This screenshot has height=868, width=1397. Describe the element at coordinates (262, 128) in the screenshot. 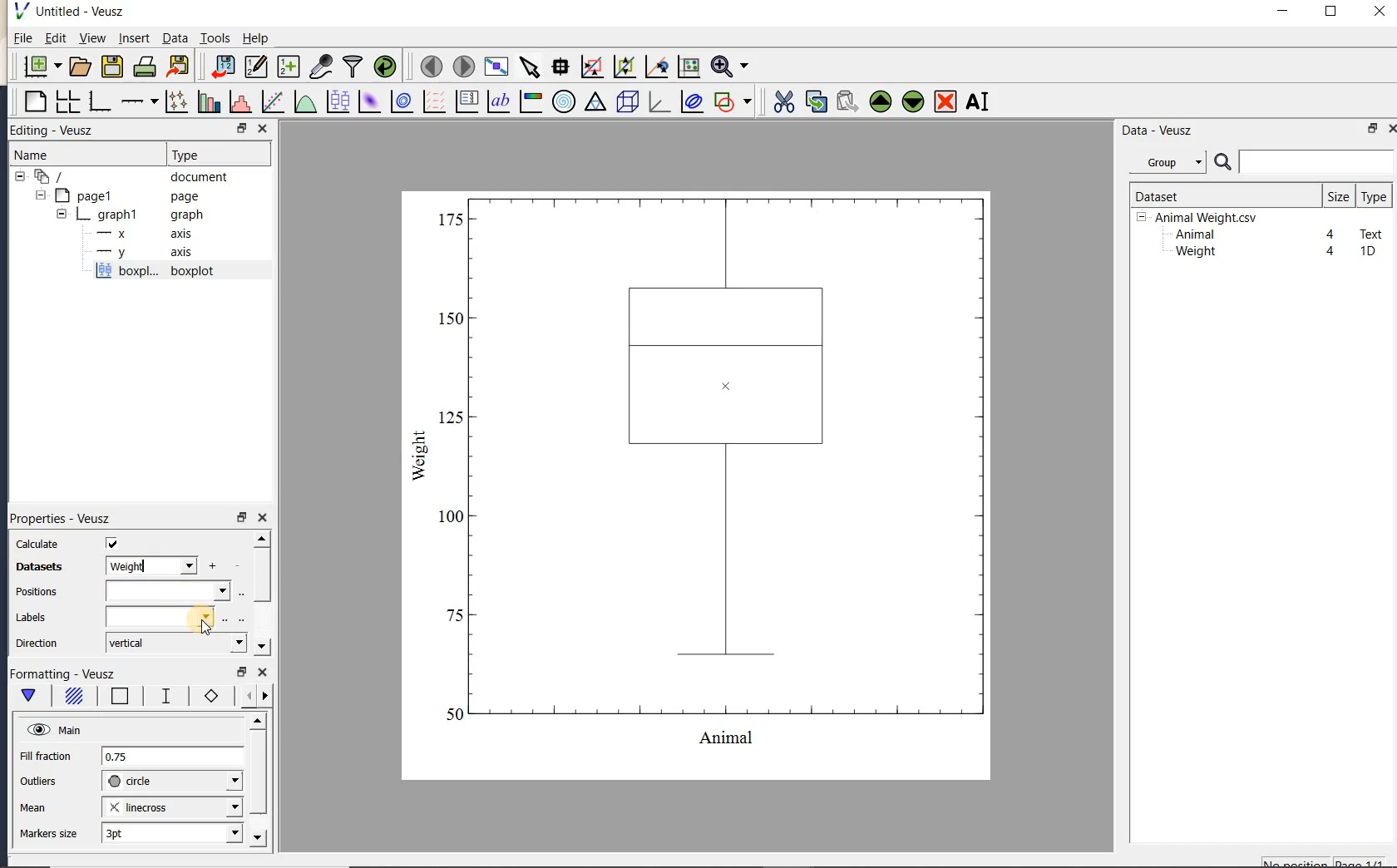

I see `CLOSE` at that location.